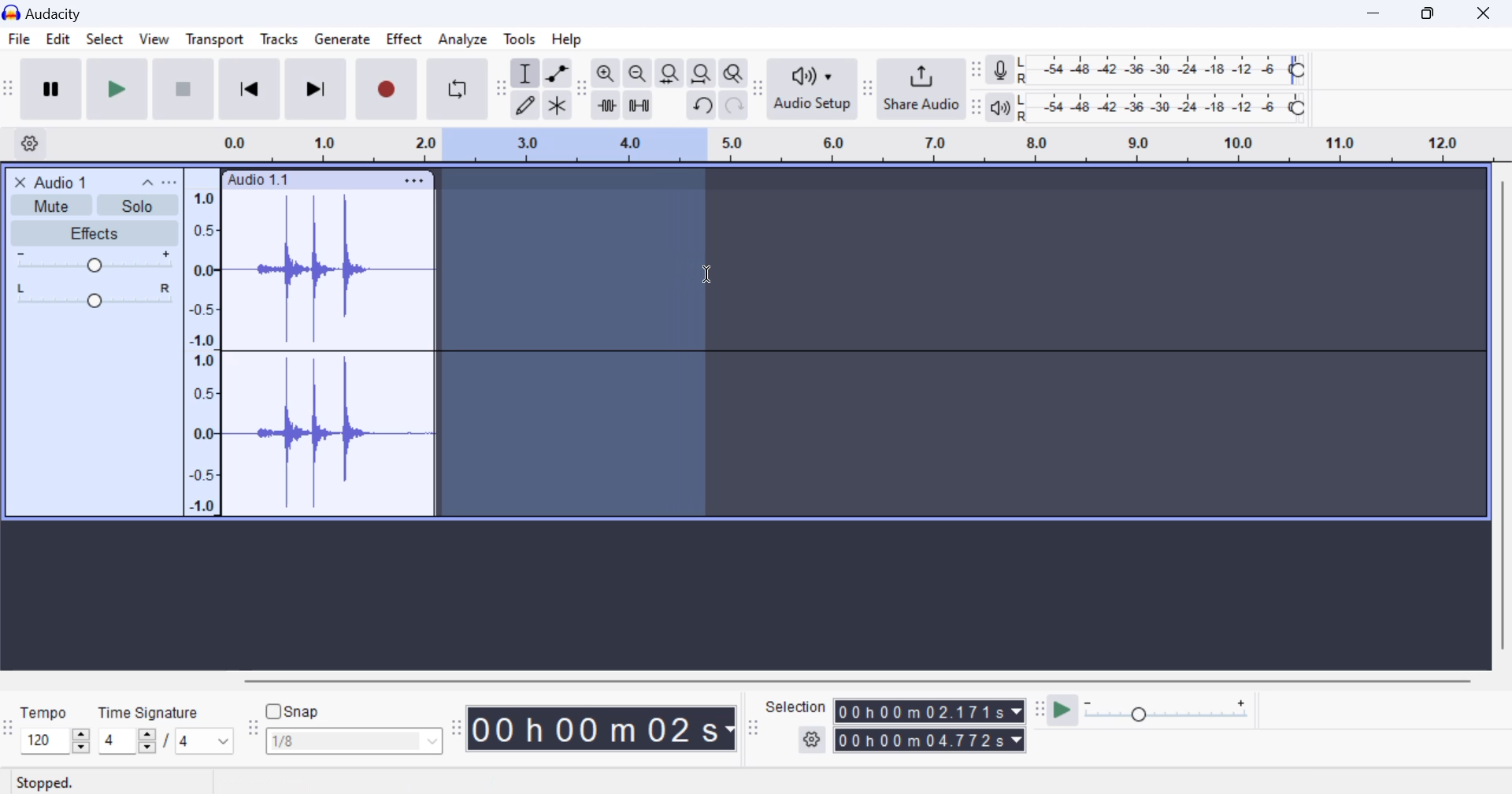 Image resolution: width=1512 pixels, height=794 pixels. Describe the element at coordinates (1062, 711) in the screenshot. I see `play at speed` at that location.